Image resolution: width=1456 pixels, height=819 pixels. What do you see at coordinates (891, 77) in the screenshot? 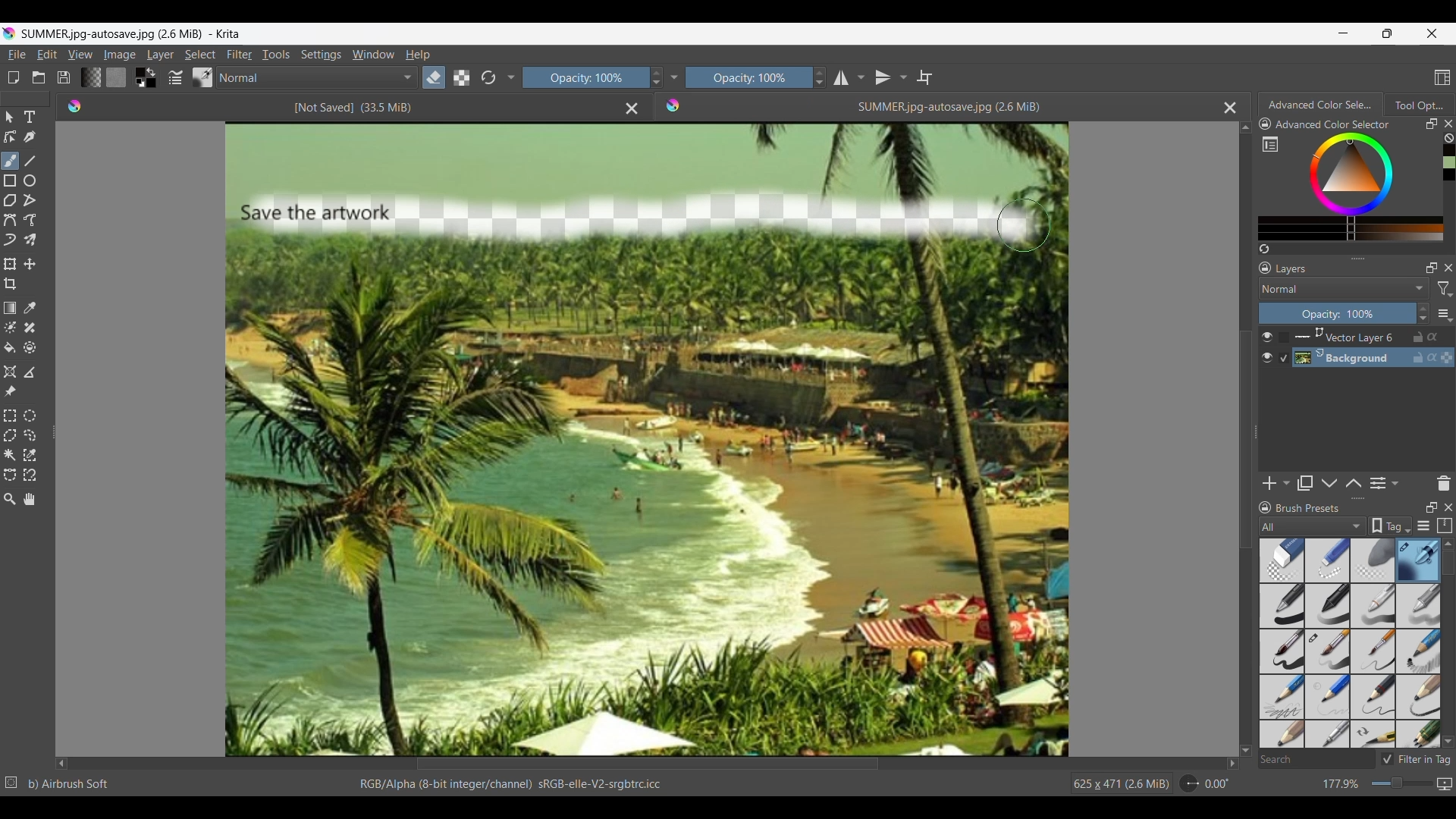
I see `Vertical mirror tool options` at bounding box center [891, 77].